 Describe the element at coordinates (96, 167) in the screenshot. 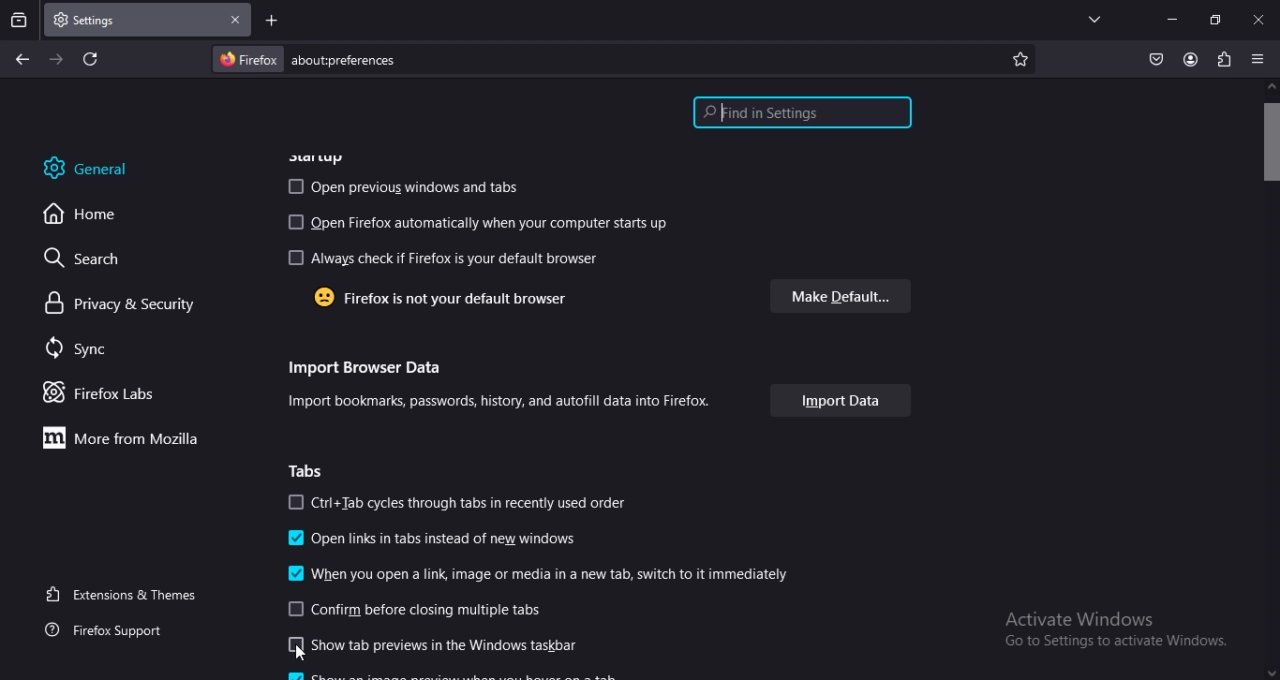

I see `general` at that location.